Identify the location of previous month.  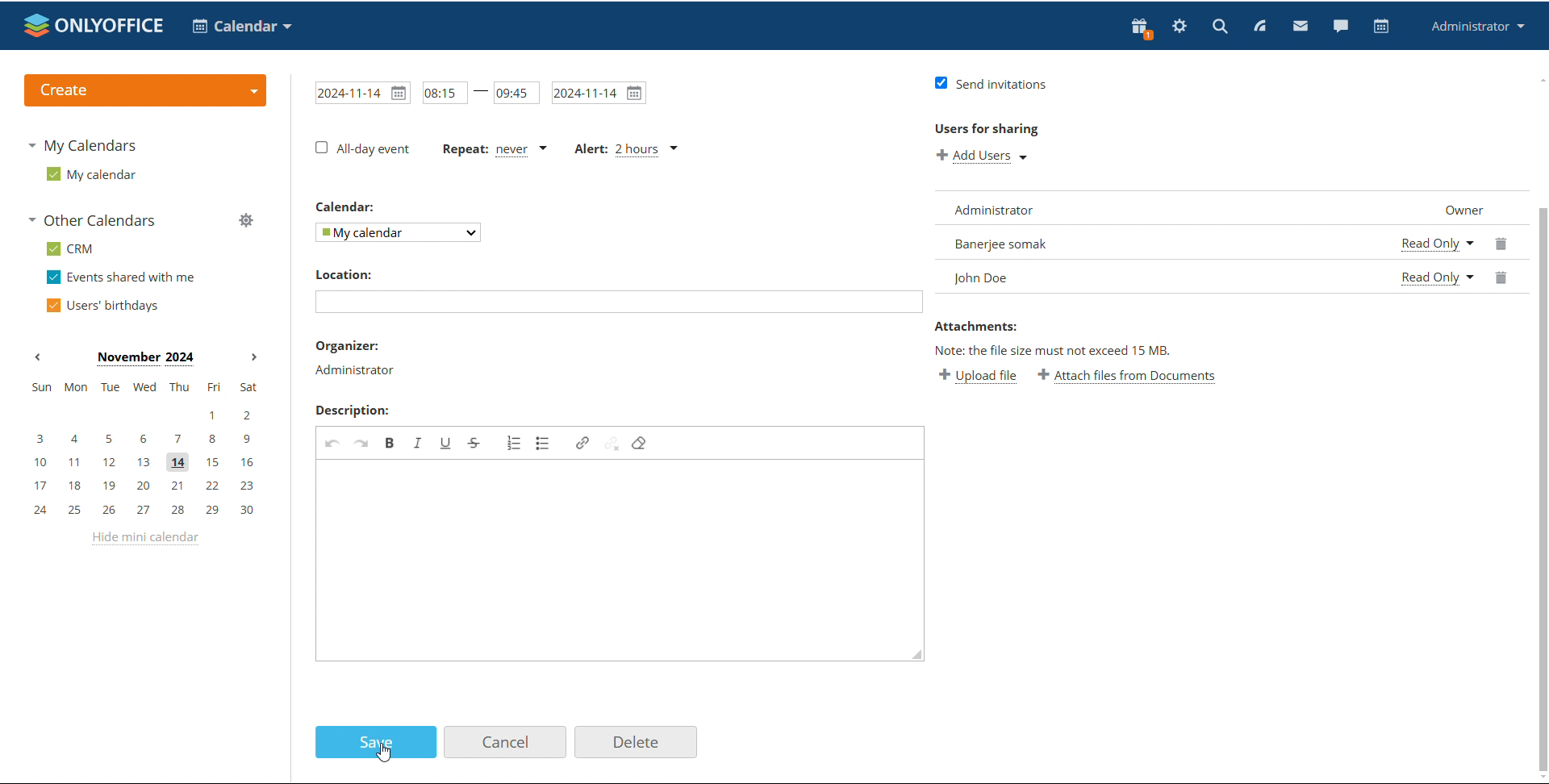
(37, 357).